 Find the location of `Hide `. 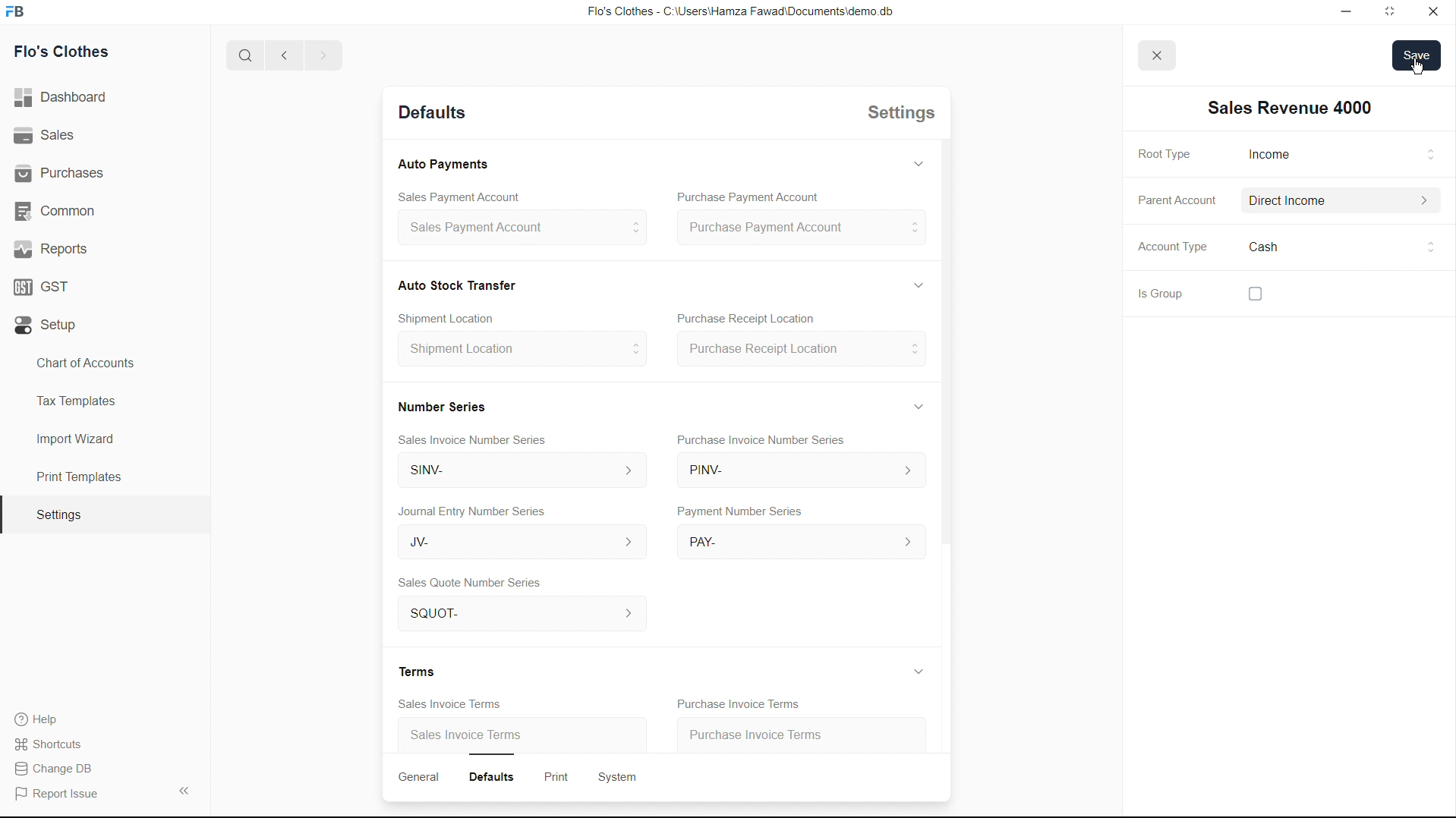

Hide  is located at coordinates (917, 162).